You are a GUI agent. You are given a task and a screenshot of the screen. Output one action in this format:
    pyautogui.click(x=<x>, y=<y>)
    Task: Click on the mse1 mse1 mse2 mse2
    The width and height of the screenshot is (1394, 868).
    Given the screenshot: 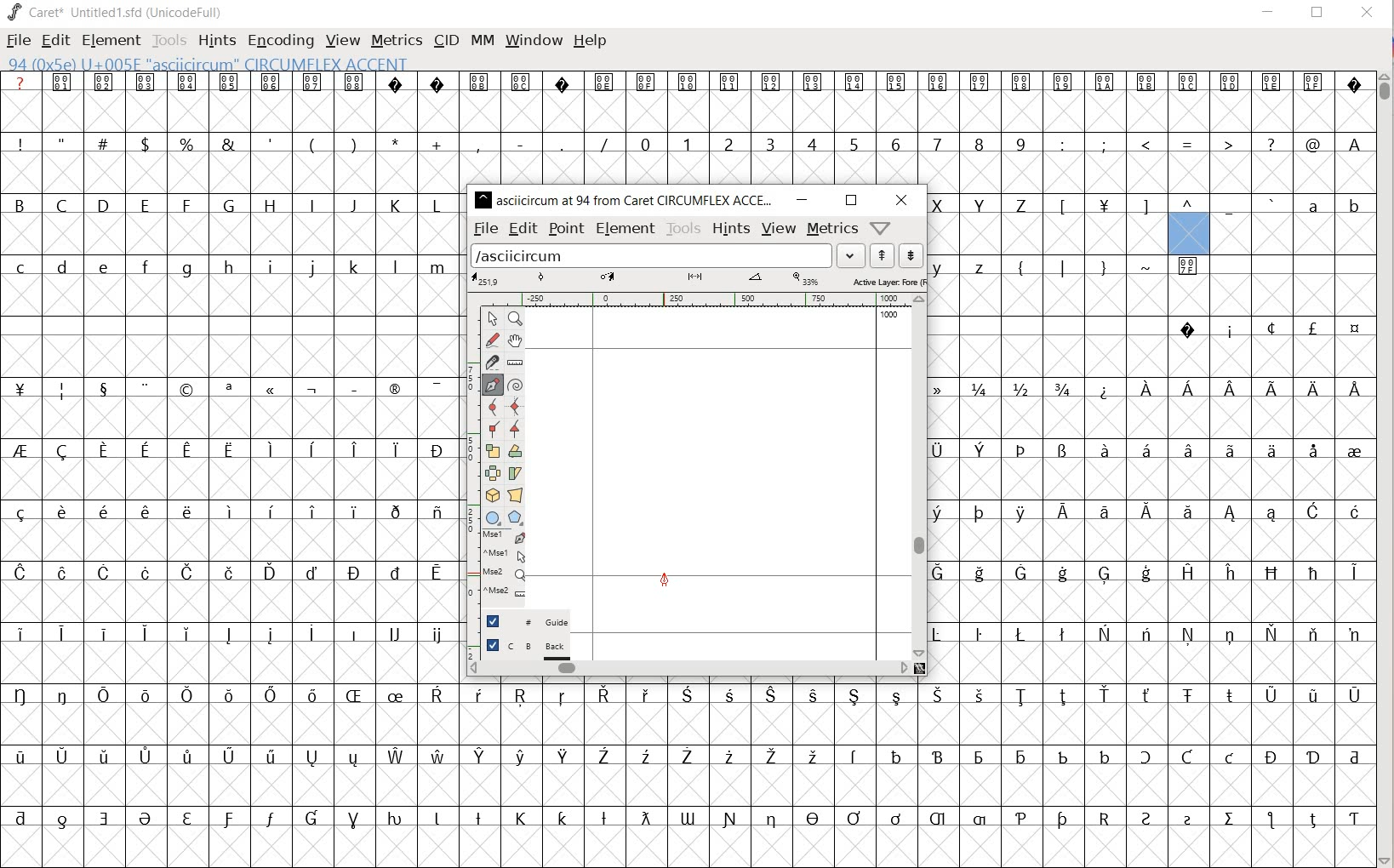 What is the action you would take?
    pyautogui.click(x=498, y=565)
    